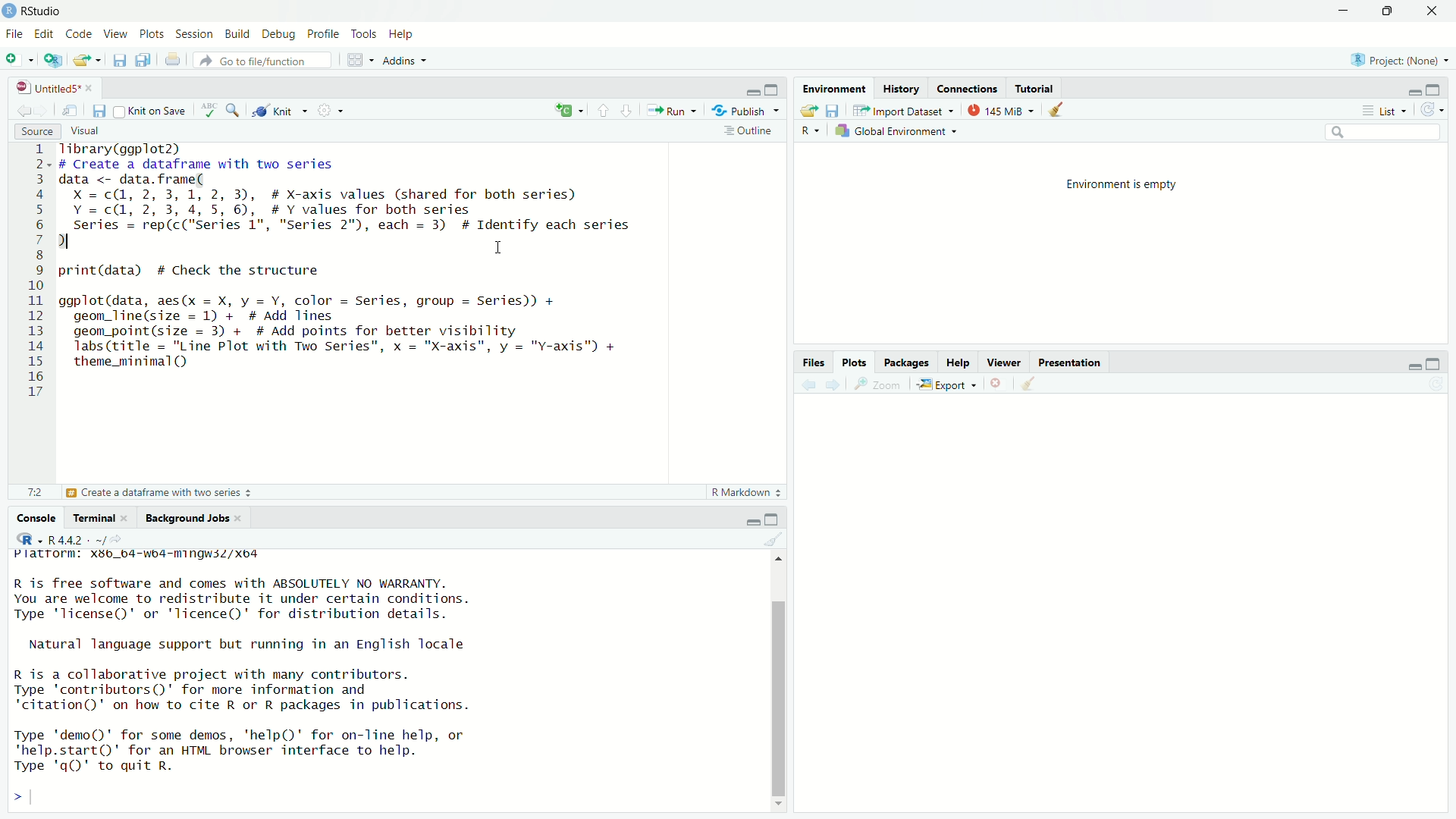  What do you see at coordinates (1075, 362) in the screenshot?
I see `Prsentation` at bounding box center [1075, 362].